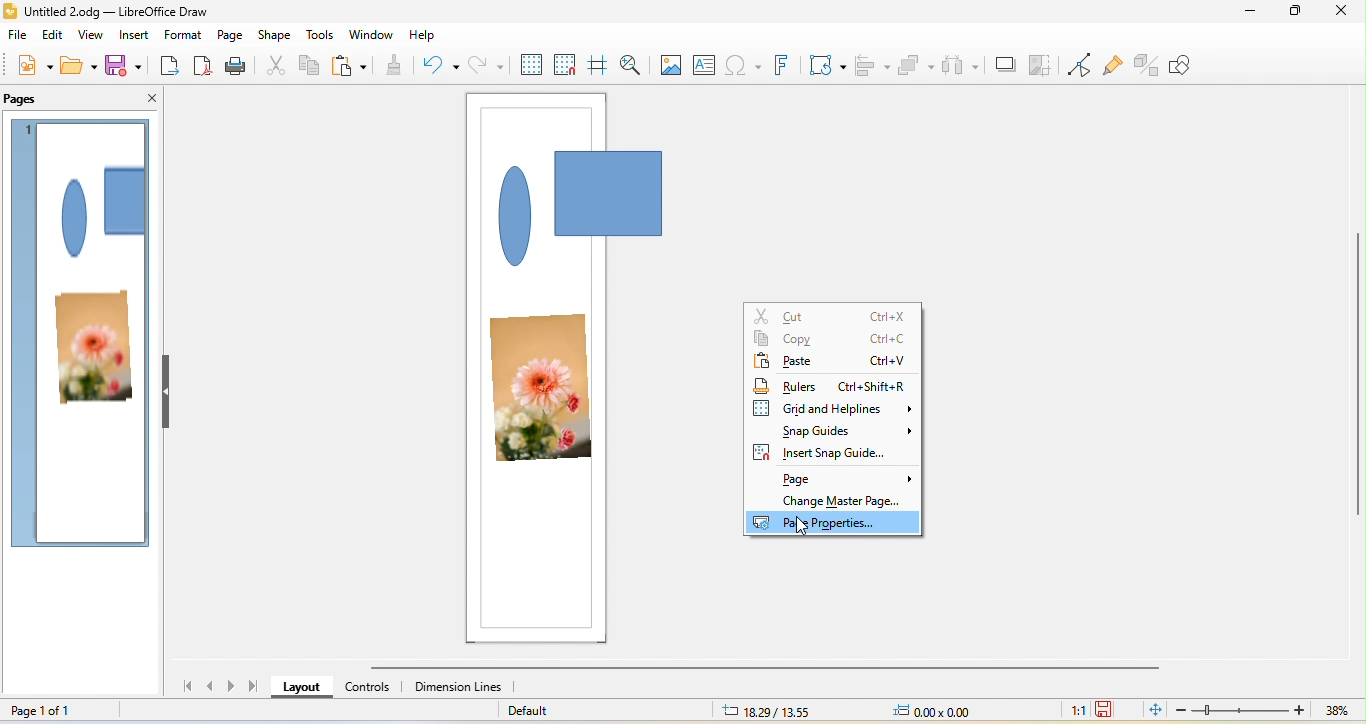  What do you see at coordinates (353, 70) in the screenshot?
I see `paste` at bounding box center [353, 70].